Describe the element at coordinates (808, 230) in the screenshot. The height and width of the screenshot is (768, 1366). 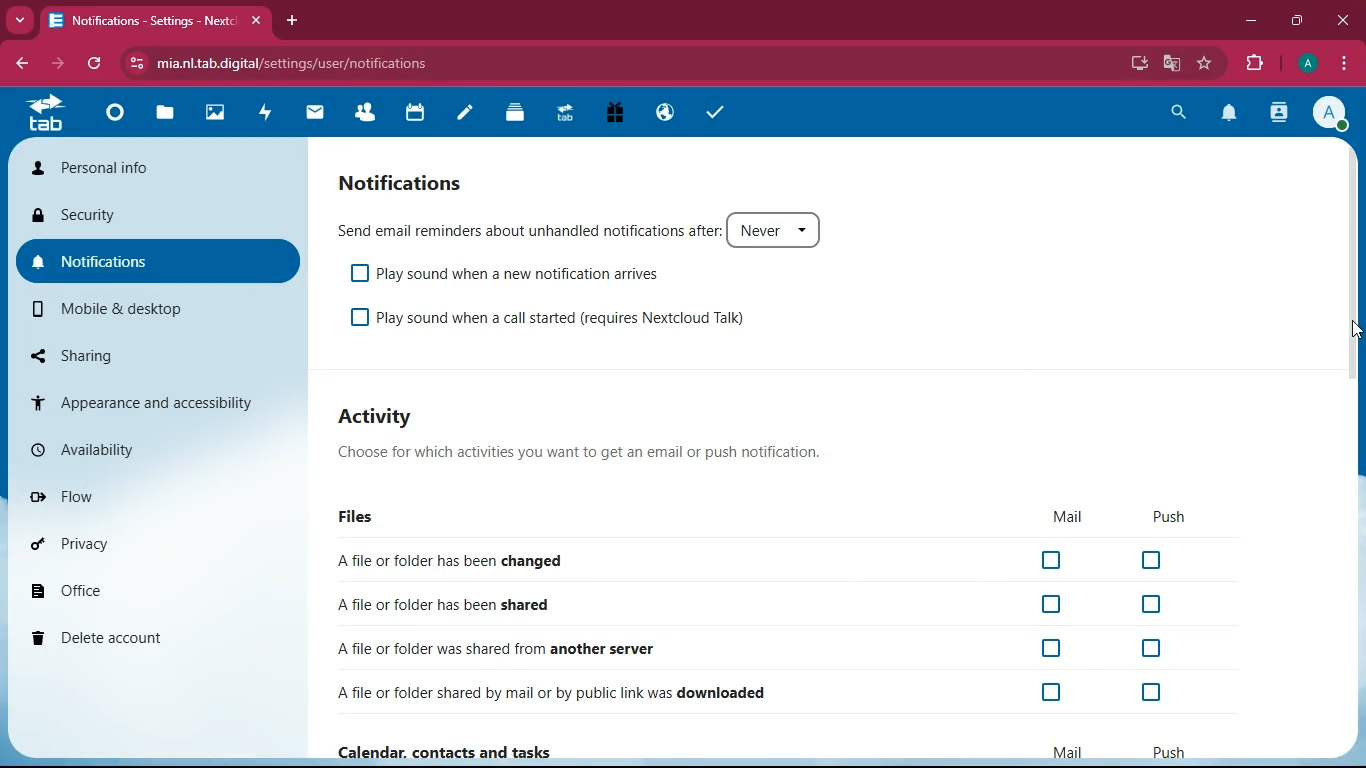
I see `drop down` at that location.